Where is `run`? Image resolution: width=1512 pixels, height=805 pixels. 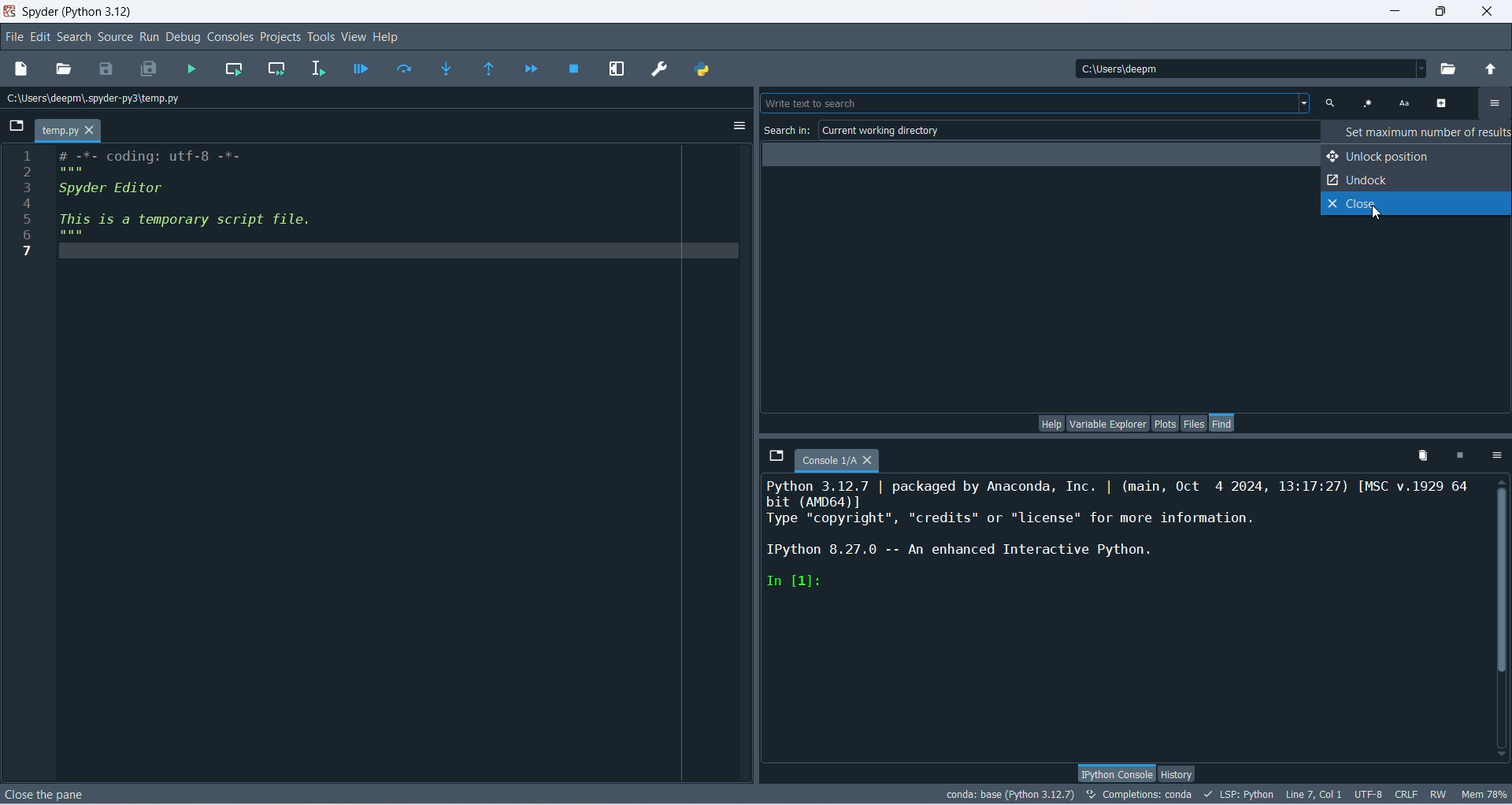
run is located at coordinates (150, 37).